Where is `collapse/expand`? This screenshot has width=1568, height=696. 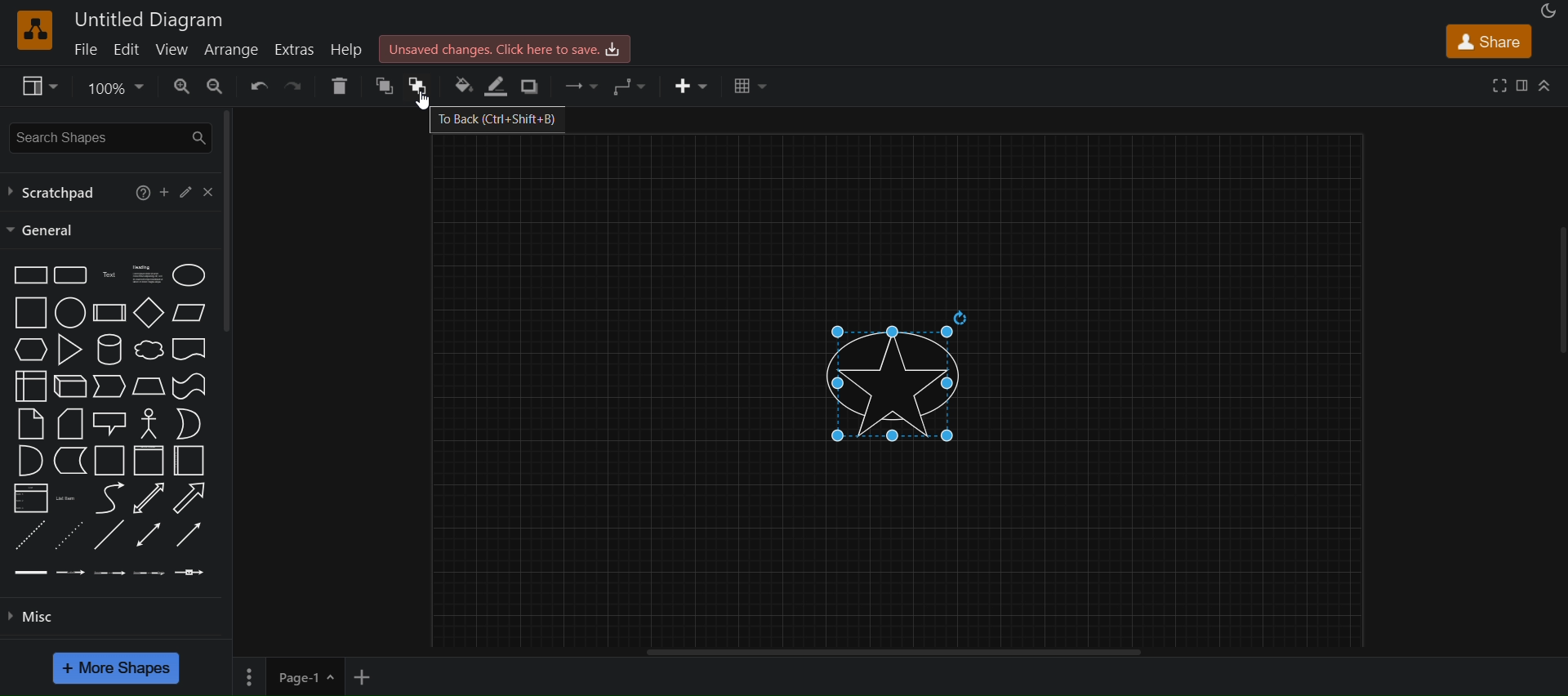
collapse/expand is located at coordinates (1548, 83).